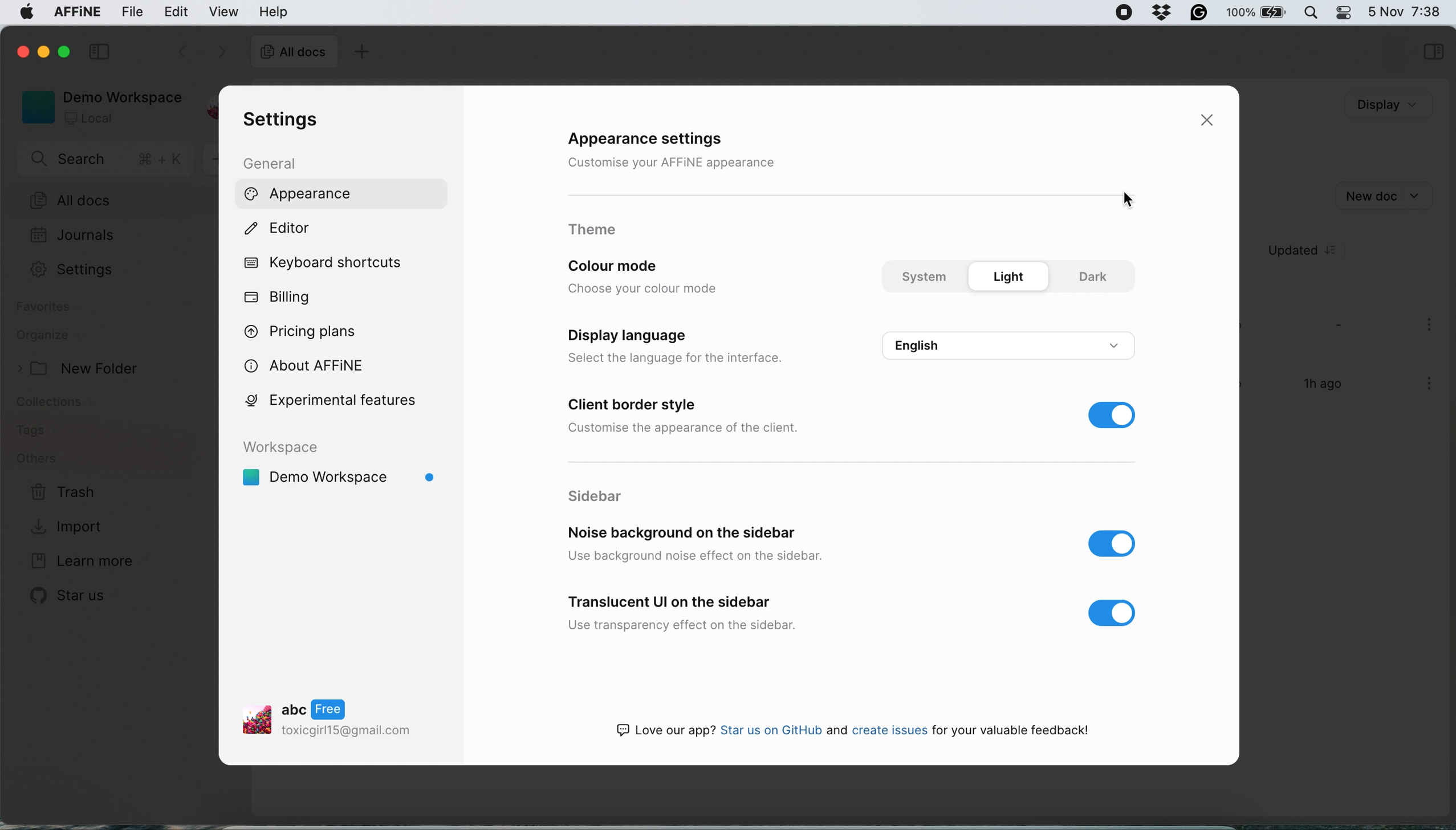  I want to click on view, so click(225, 12).